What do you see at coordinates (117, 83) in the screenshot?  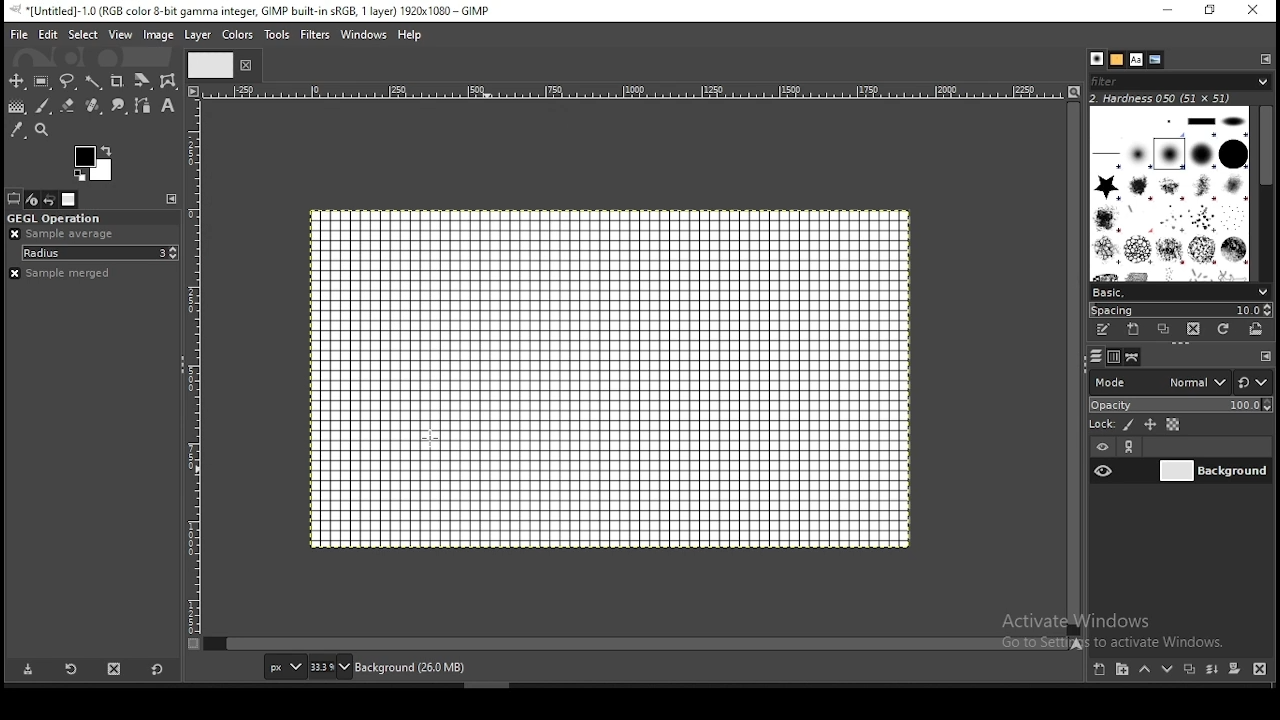 I see `crop tool` at bounding box center [117, 83].